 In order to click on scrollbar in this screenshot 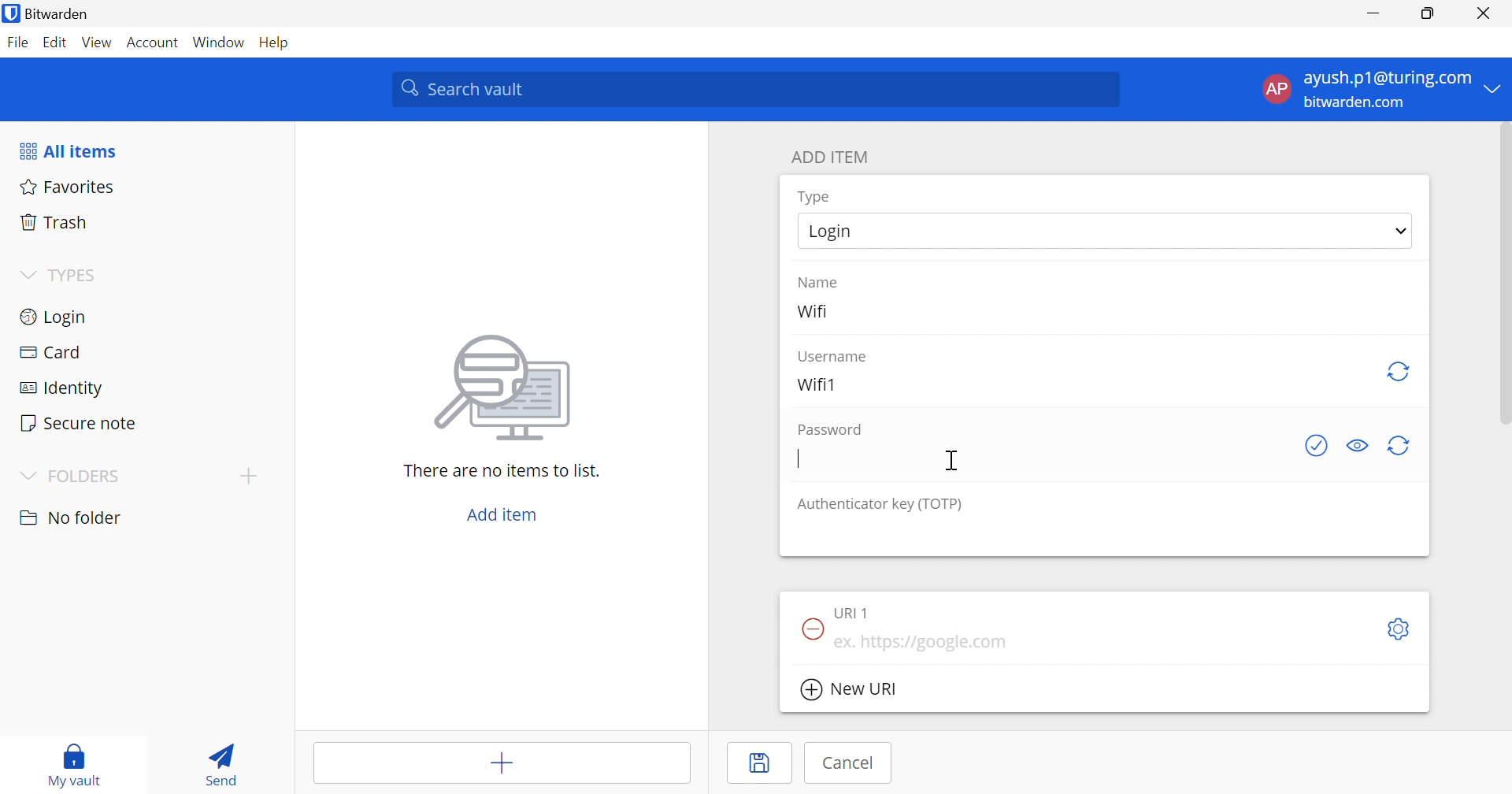, I will do `click(1503, 273)`.